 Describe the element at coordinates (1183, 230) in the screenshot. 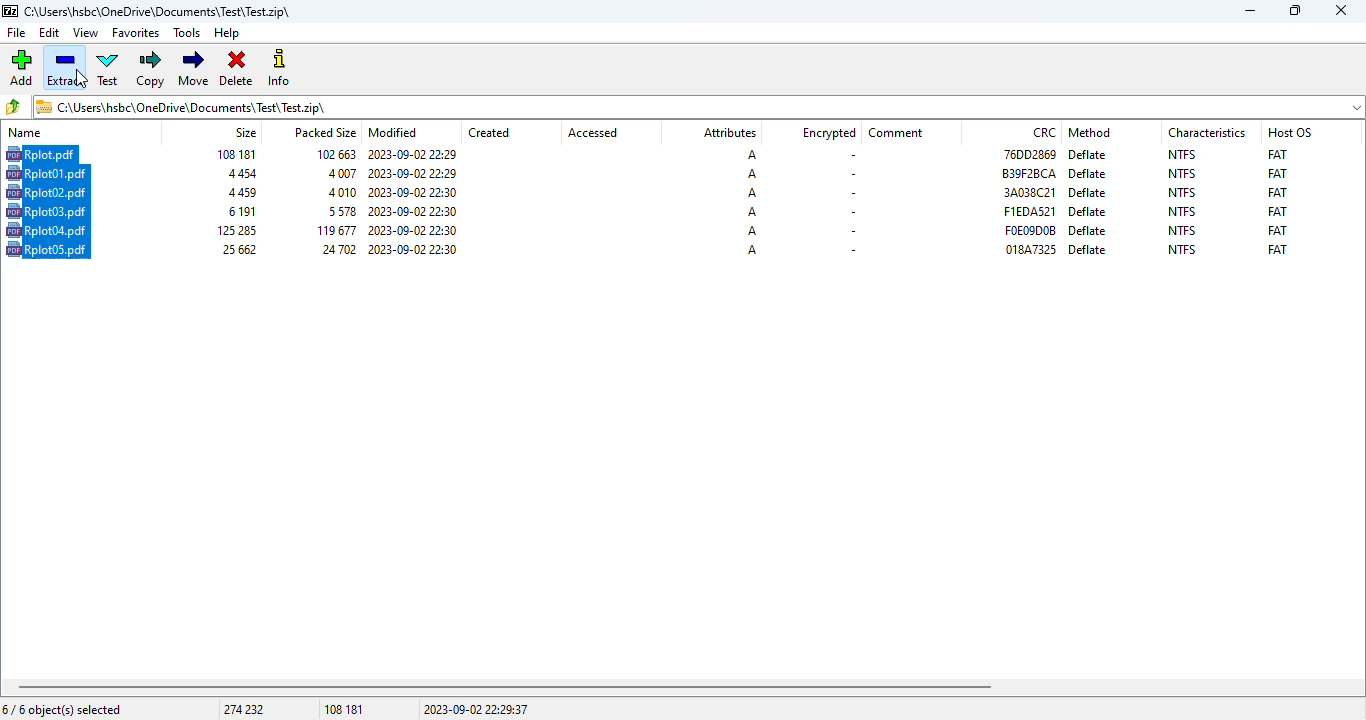

I see `NTFS` at that location.